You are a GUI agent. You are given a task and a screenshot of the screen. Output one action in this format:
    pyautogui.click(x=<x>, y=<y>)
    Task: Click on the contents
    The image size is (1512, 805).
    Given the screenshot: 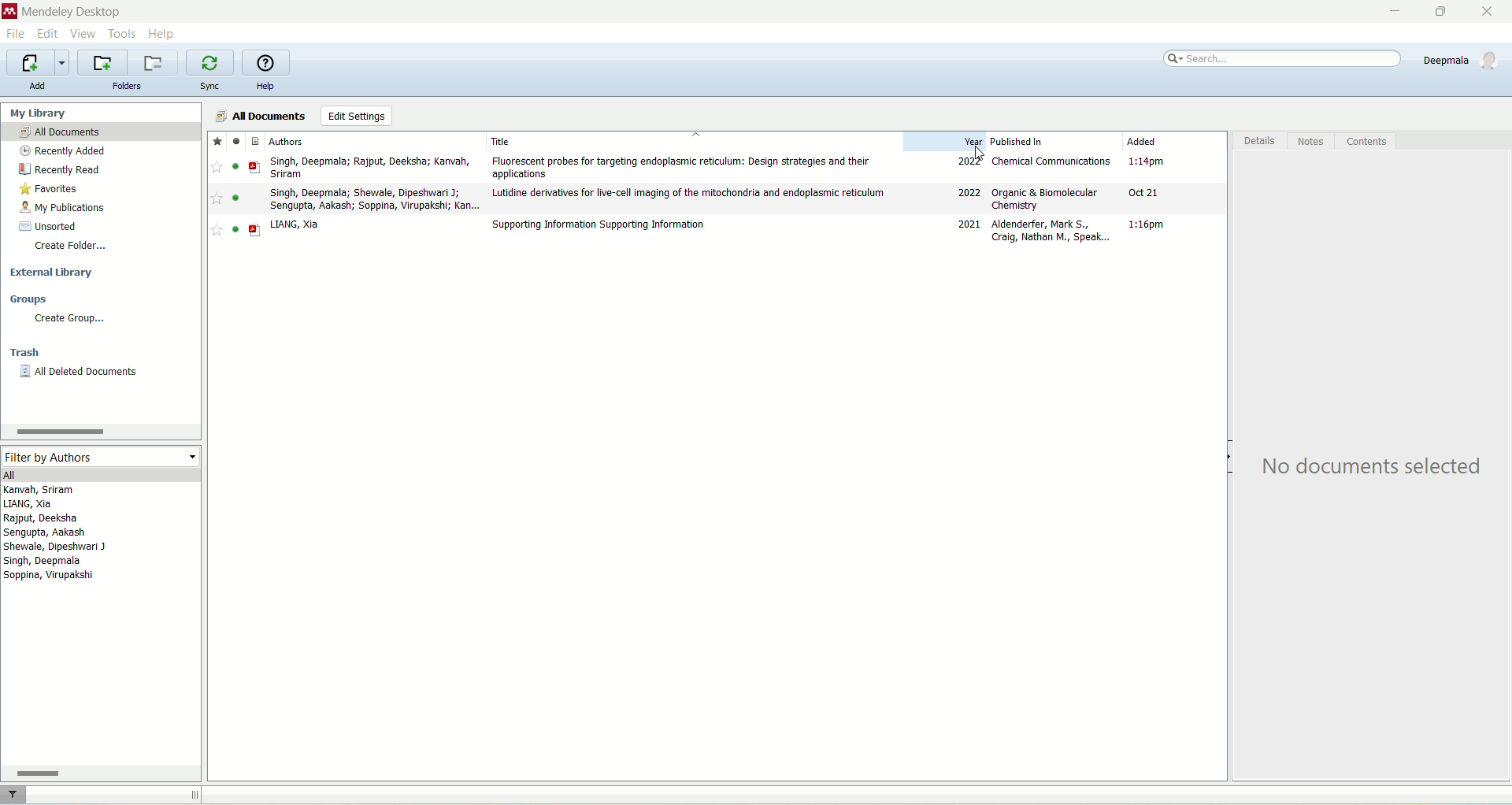 What is the action you would take?
    pyautogui.click(x=1367, y=143)
    